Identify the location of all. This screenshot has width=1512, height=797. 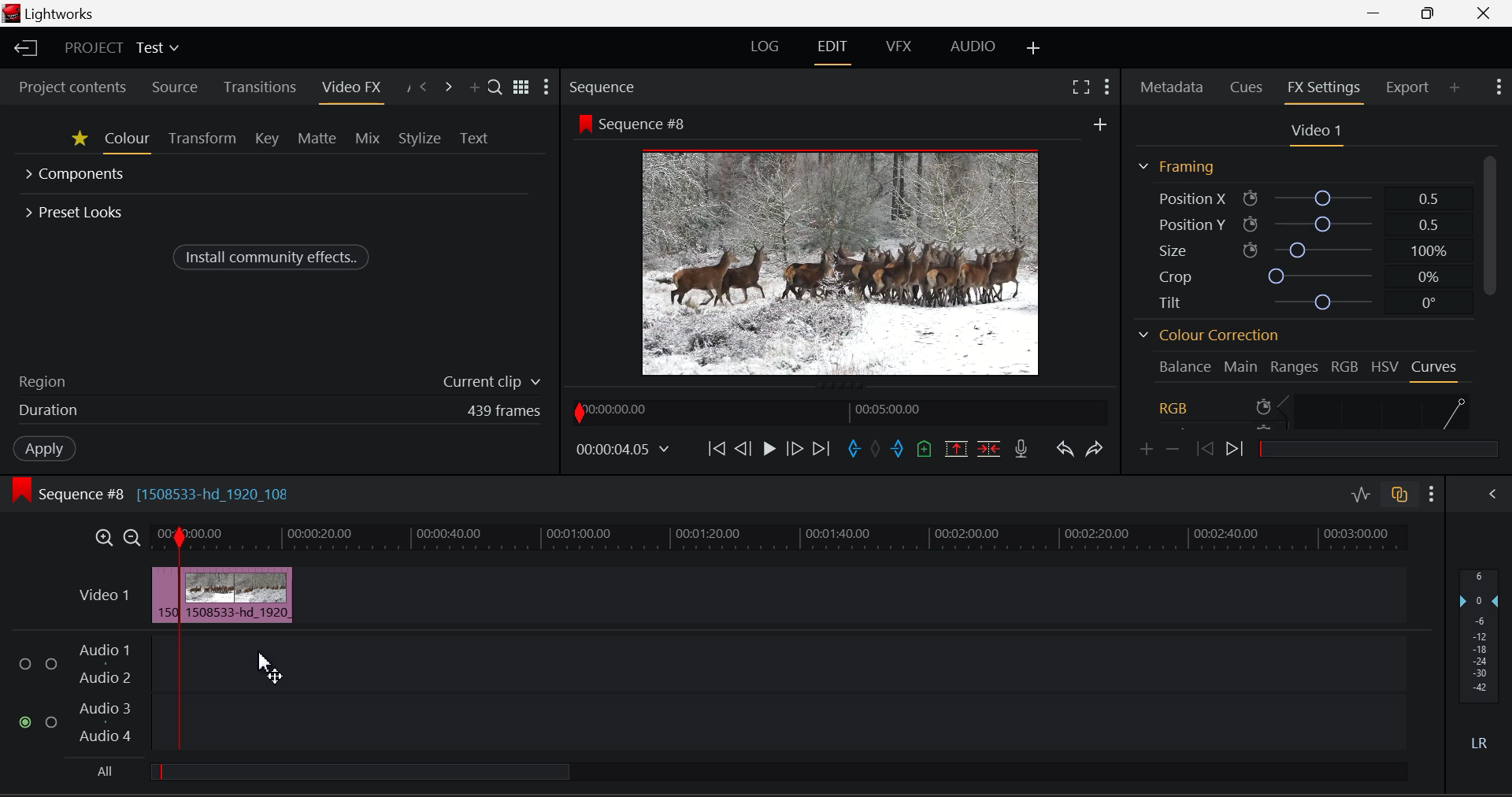
(417, 773).